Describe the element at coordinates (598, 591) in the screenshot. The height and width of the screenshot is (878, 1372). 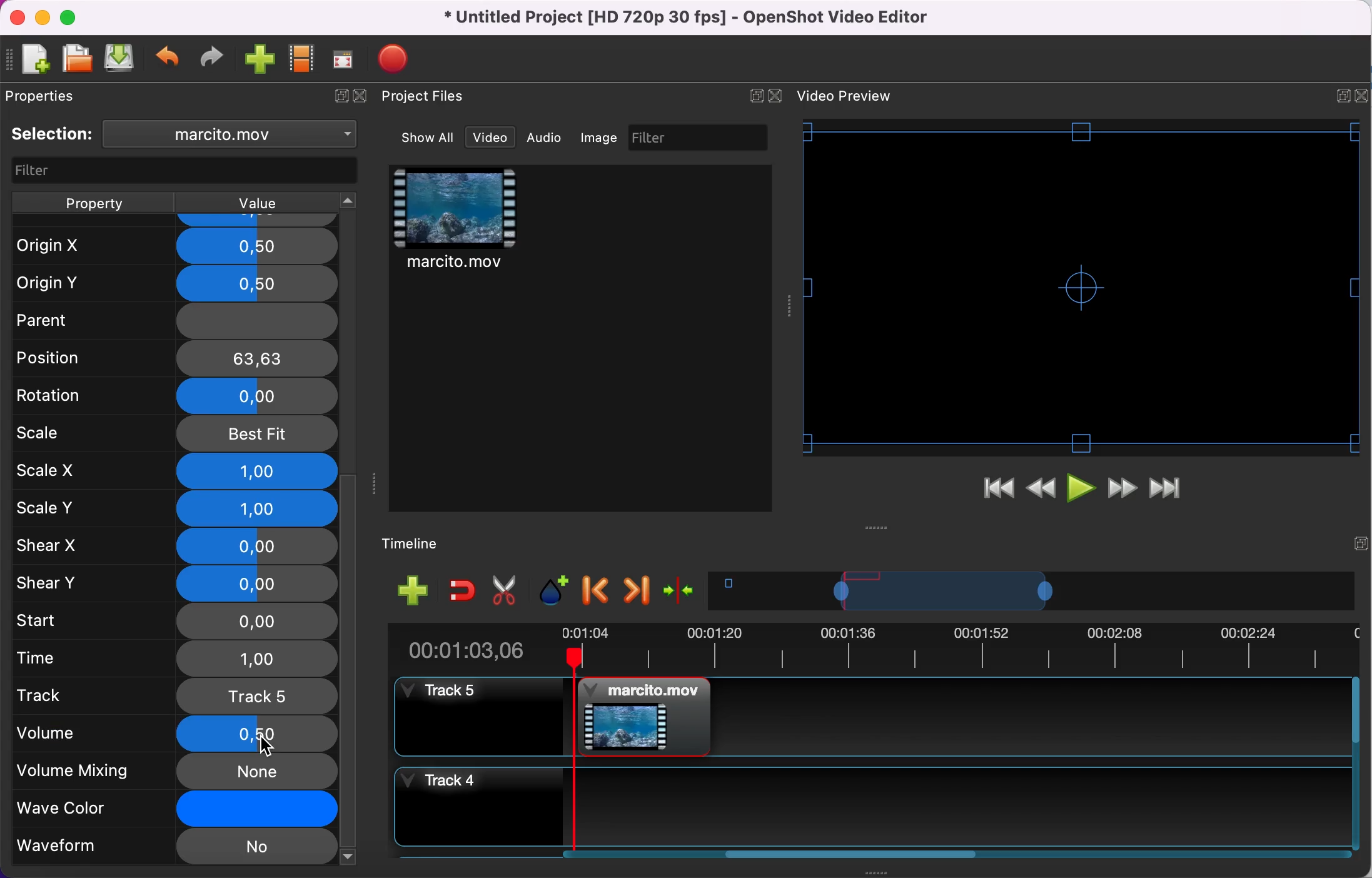
I see `previous marker` at that location.